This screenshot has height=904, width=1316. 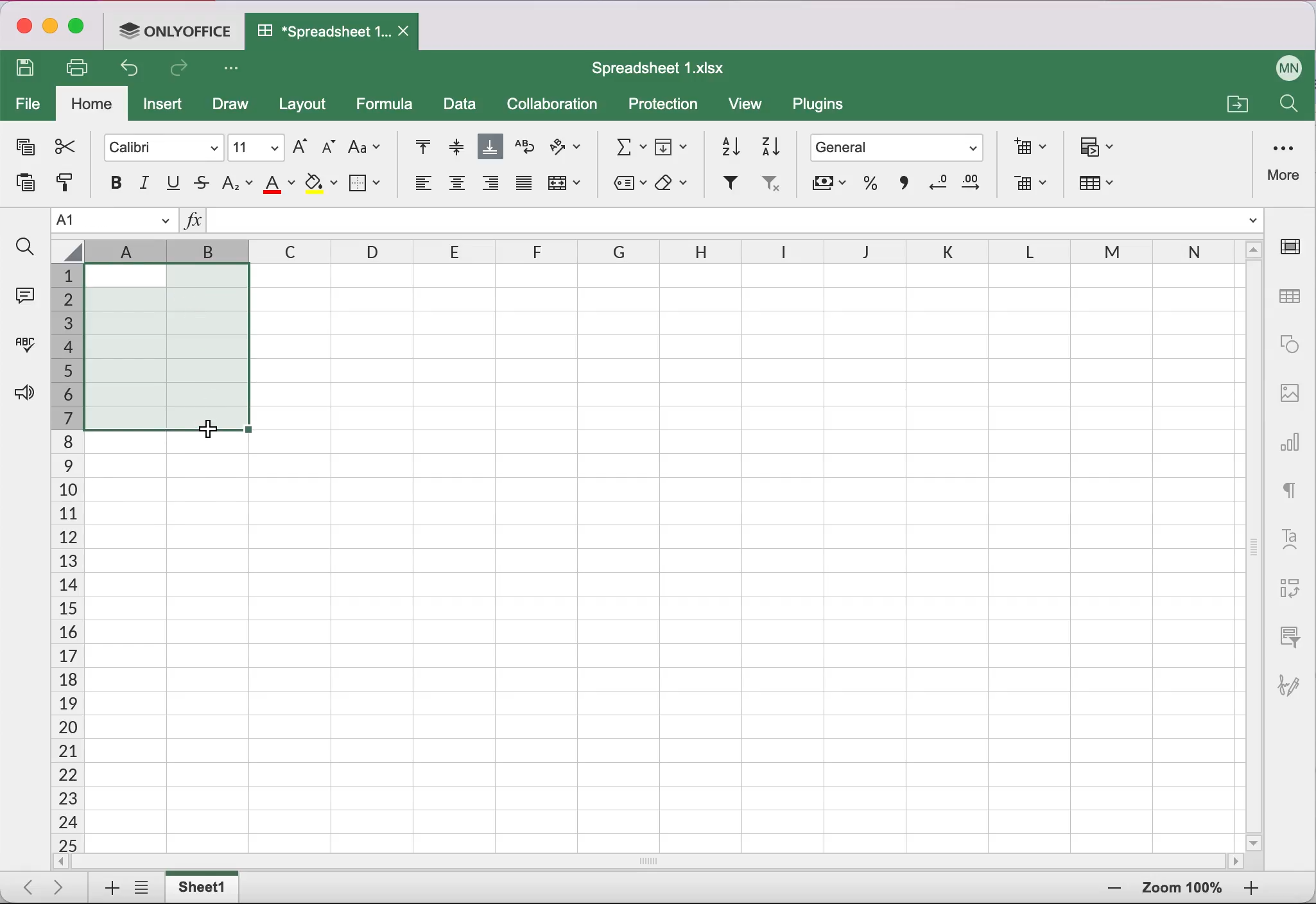 What do you see at coordinates (64, 886) in the screenshot?
I see `Scroll to last sheet` at bounding box center [64, 886].